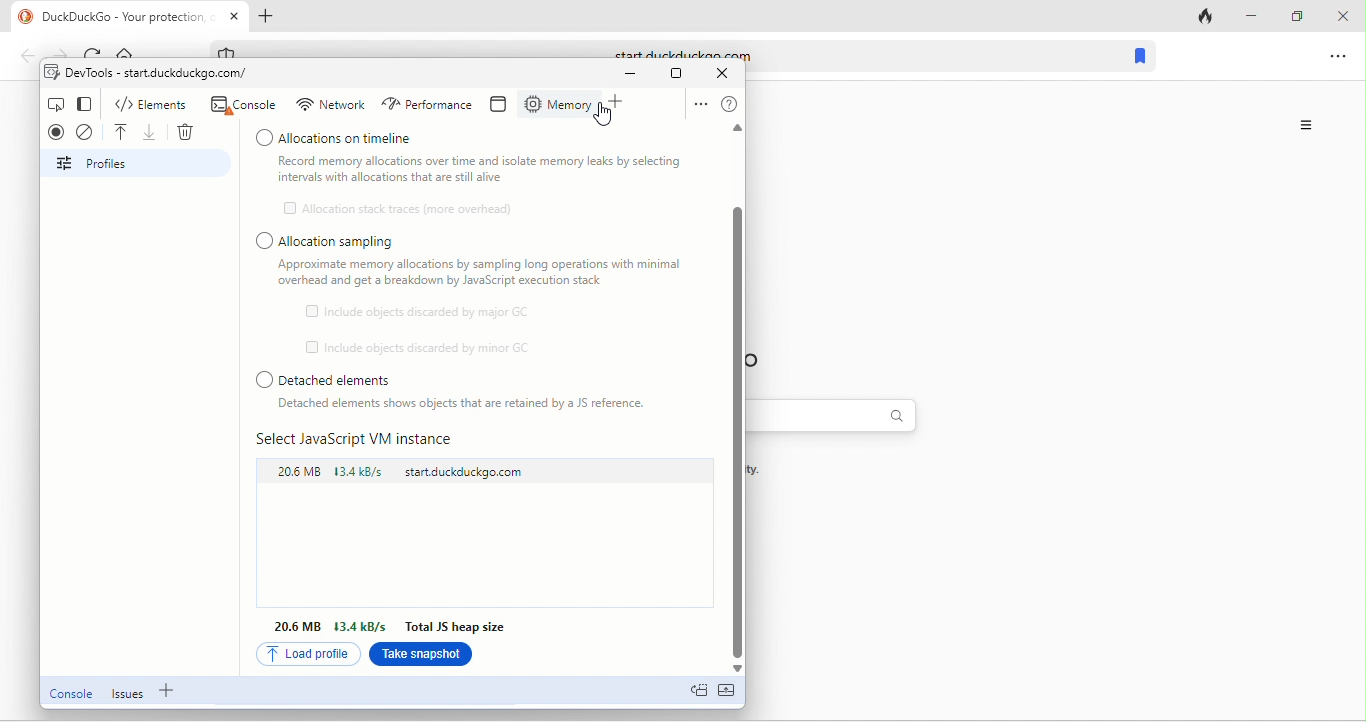  Describe the element at coordinates (638, 76) in the screenshot. I see `minimize` at that location.